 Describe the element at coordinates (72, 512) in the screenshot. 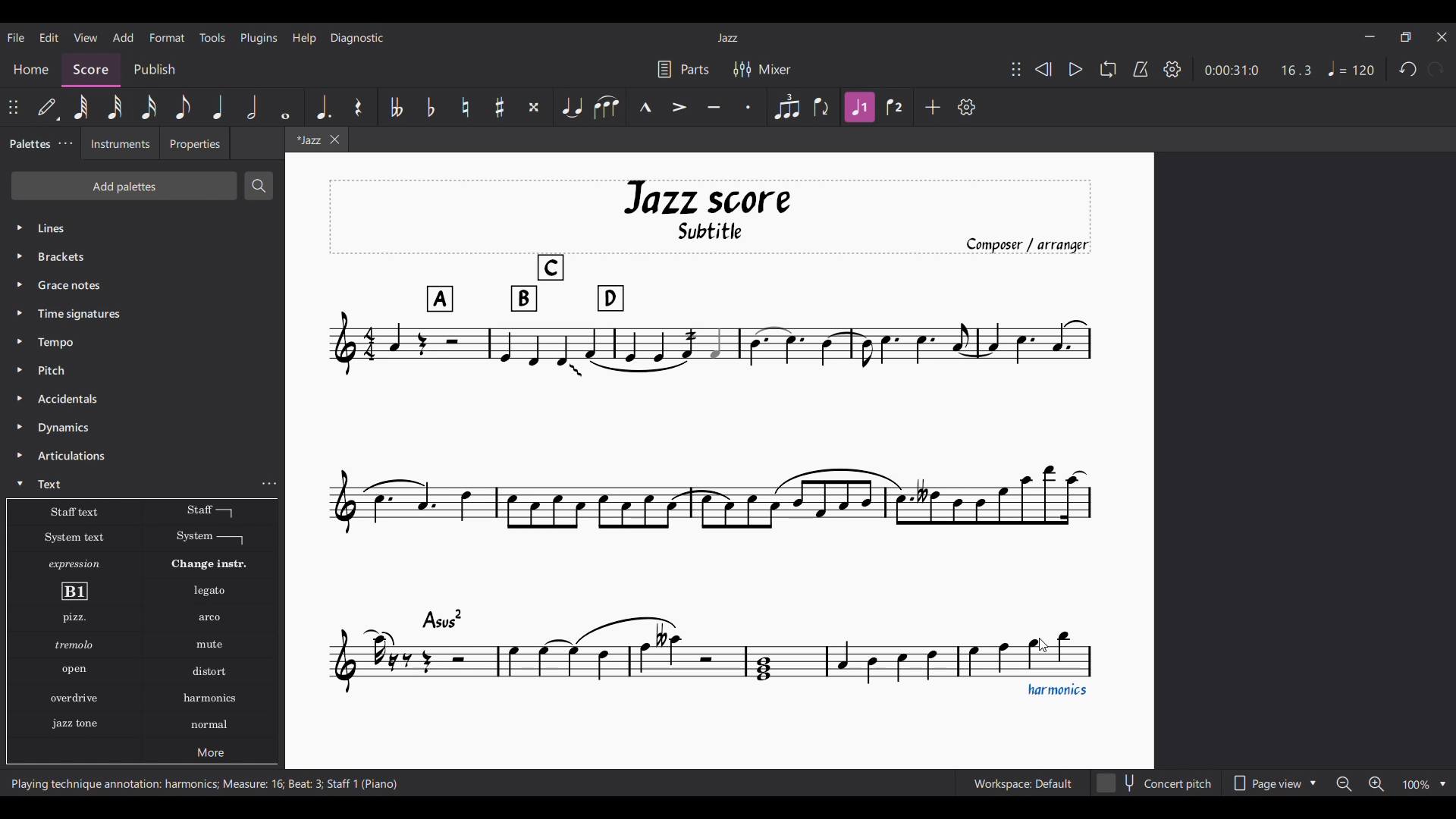

I see `Text options` at that location.